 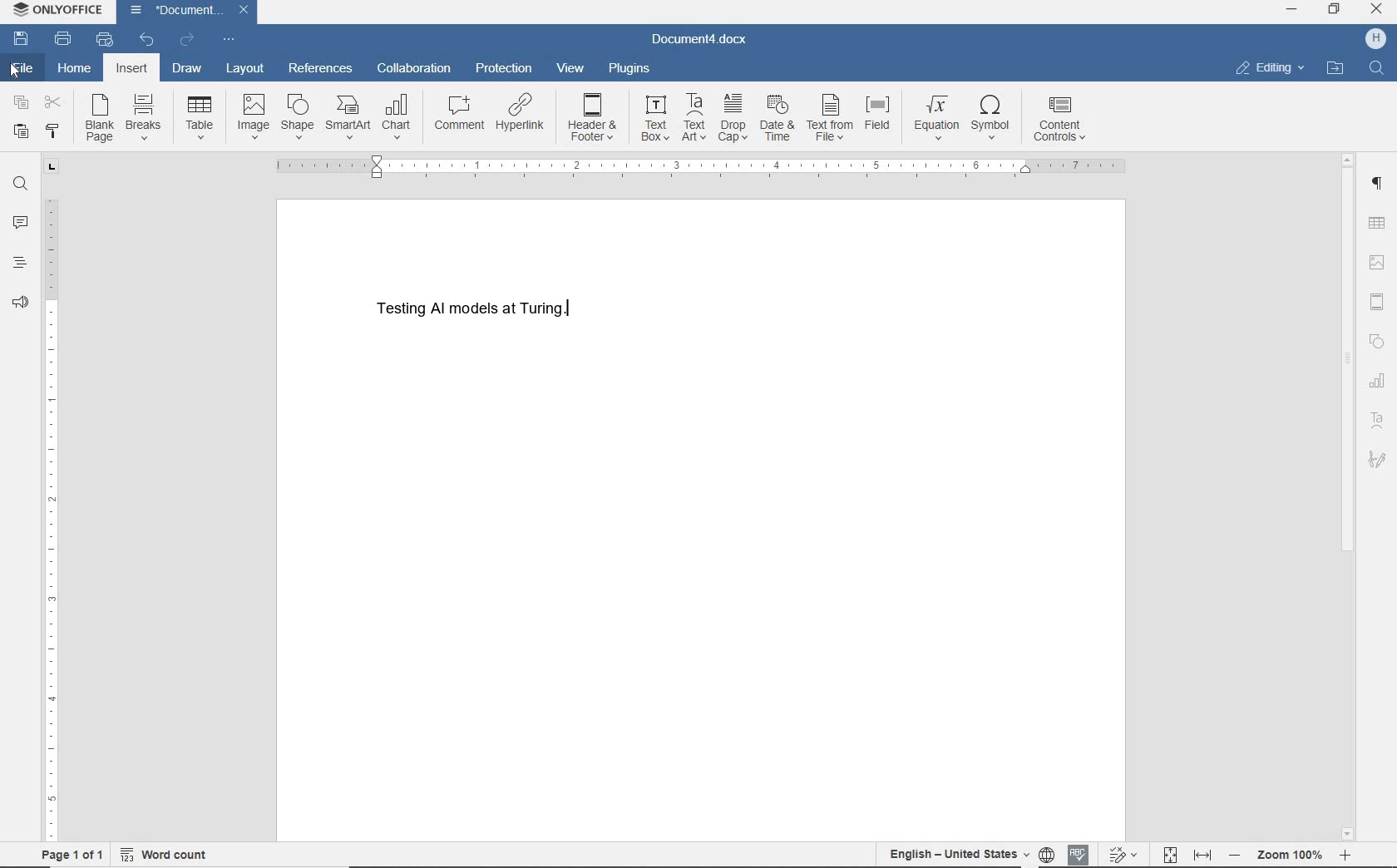 I want to click on paste, so click(x=18, y=131).